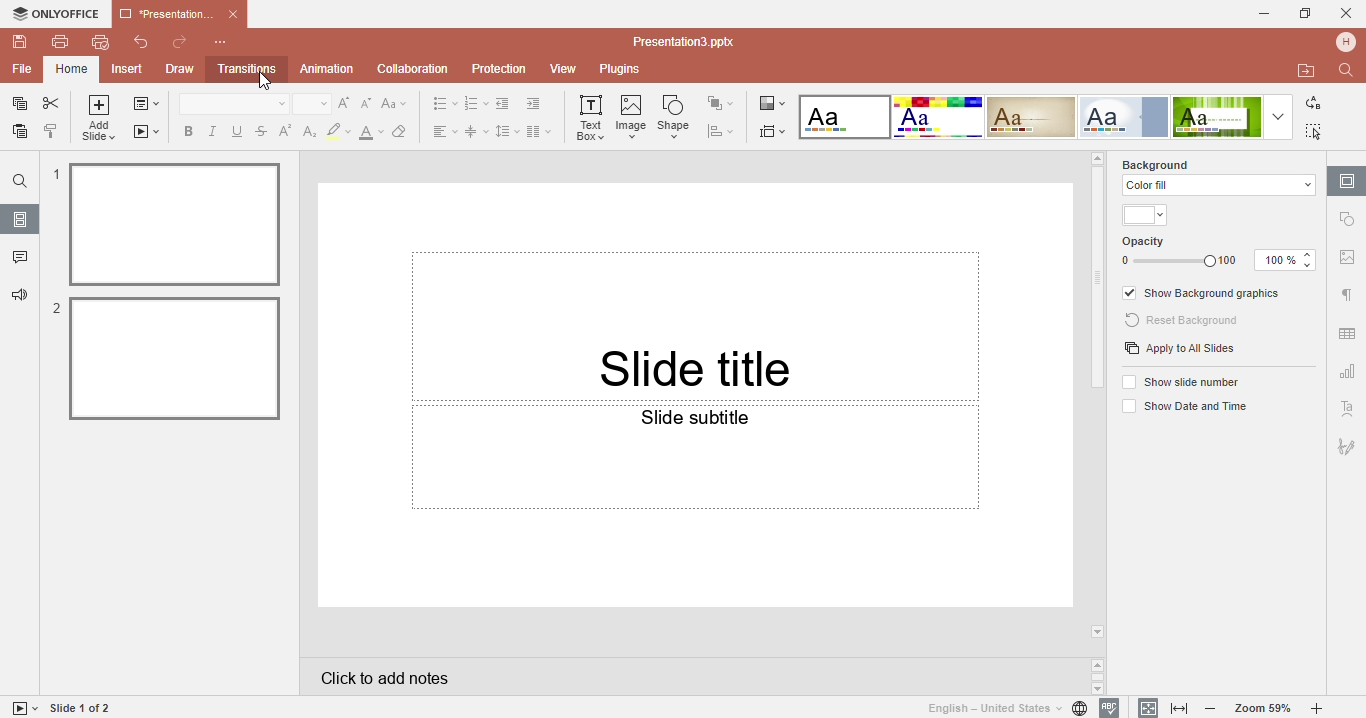 This screenshot has height=718, width=1366. Describe the element at coordinates (19, 181) in the screenshot. I see `Find` at that location.